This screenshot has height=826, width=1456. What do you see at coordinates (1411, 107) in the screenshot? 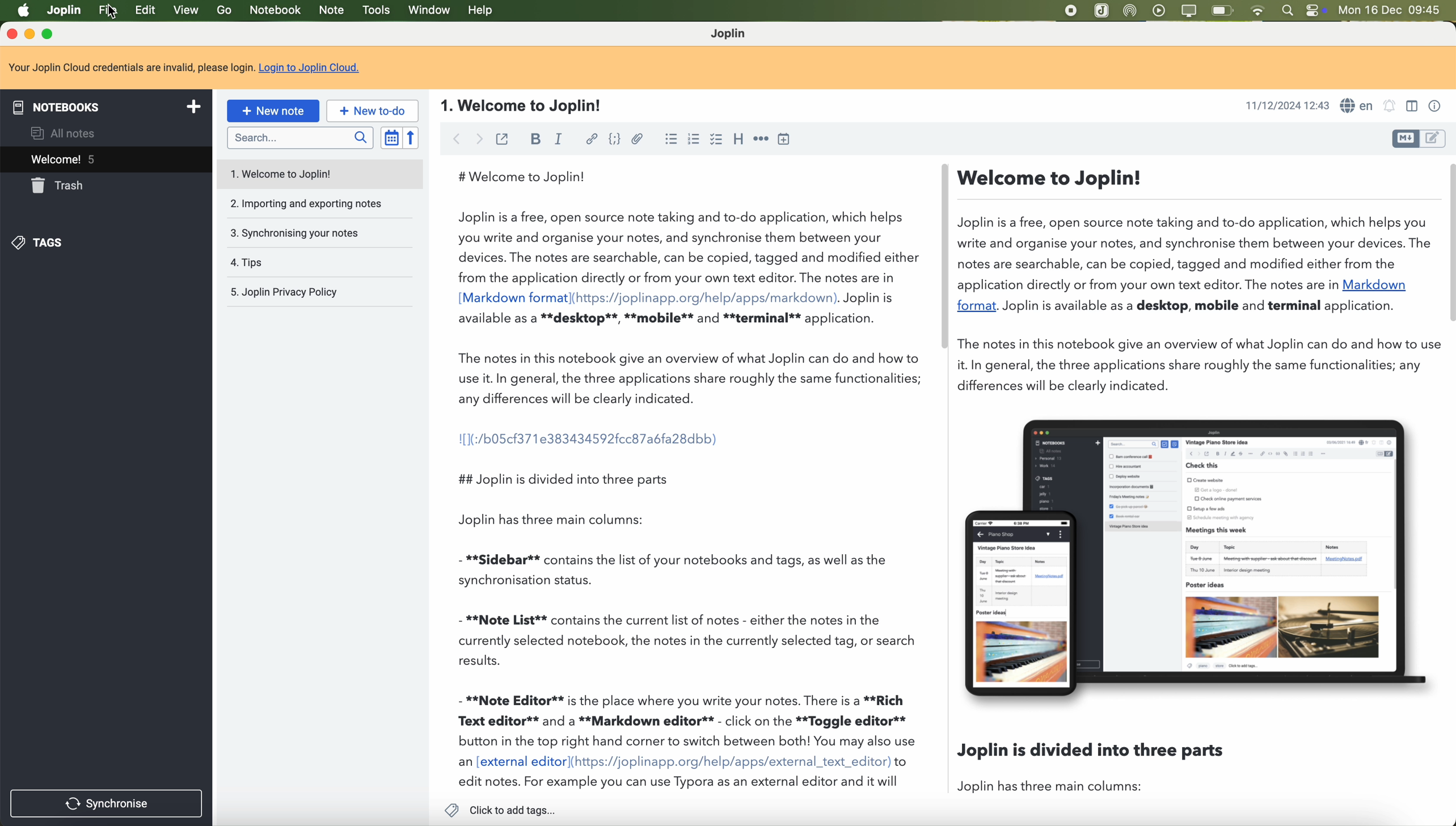
I see `toggle editors layout` at bounding box center [1411, 107].